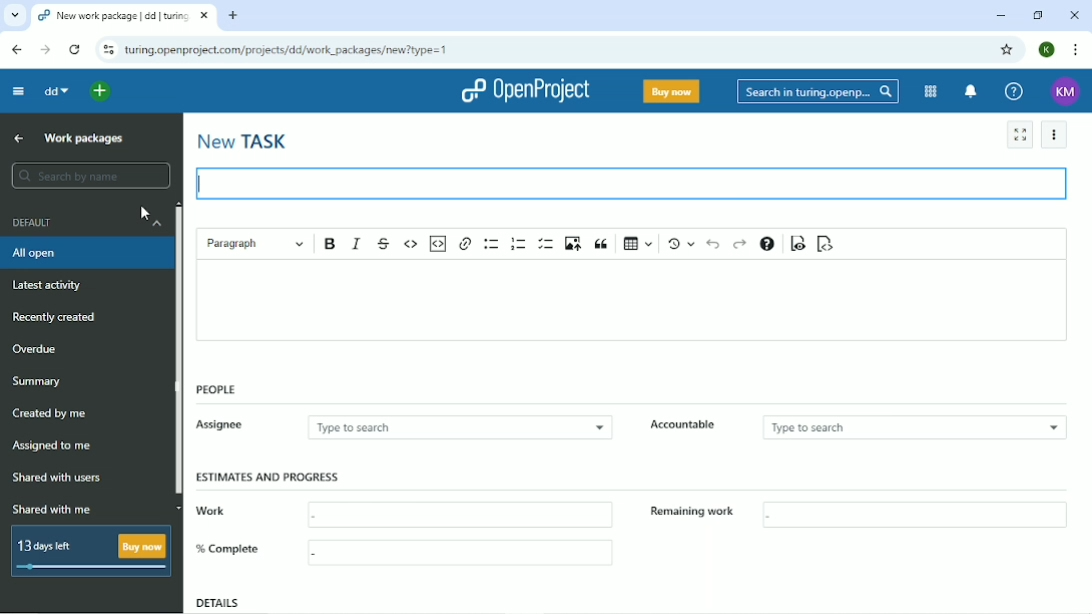 Image resolution: width=1092 pixels, height=614 pixels. What do you see at coordinates (177, 360) in the screenshot?
I see `Vertical scrollbar` at bounding box center [177, 360].